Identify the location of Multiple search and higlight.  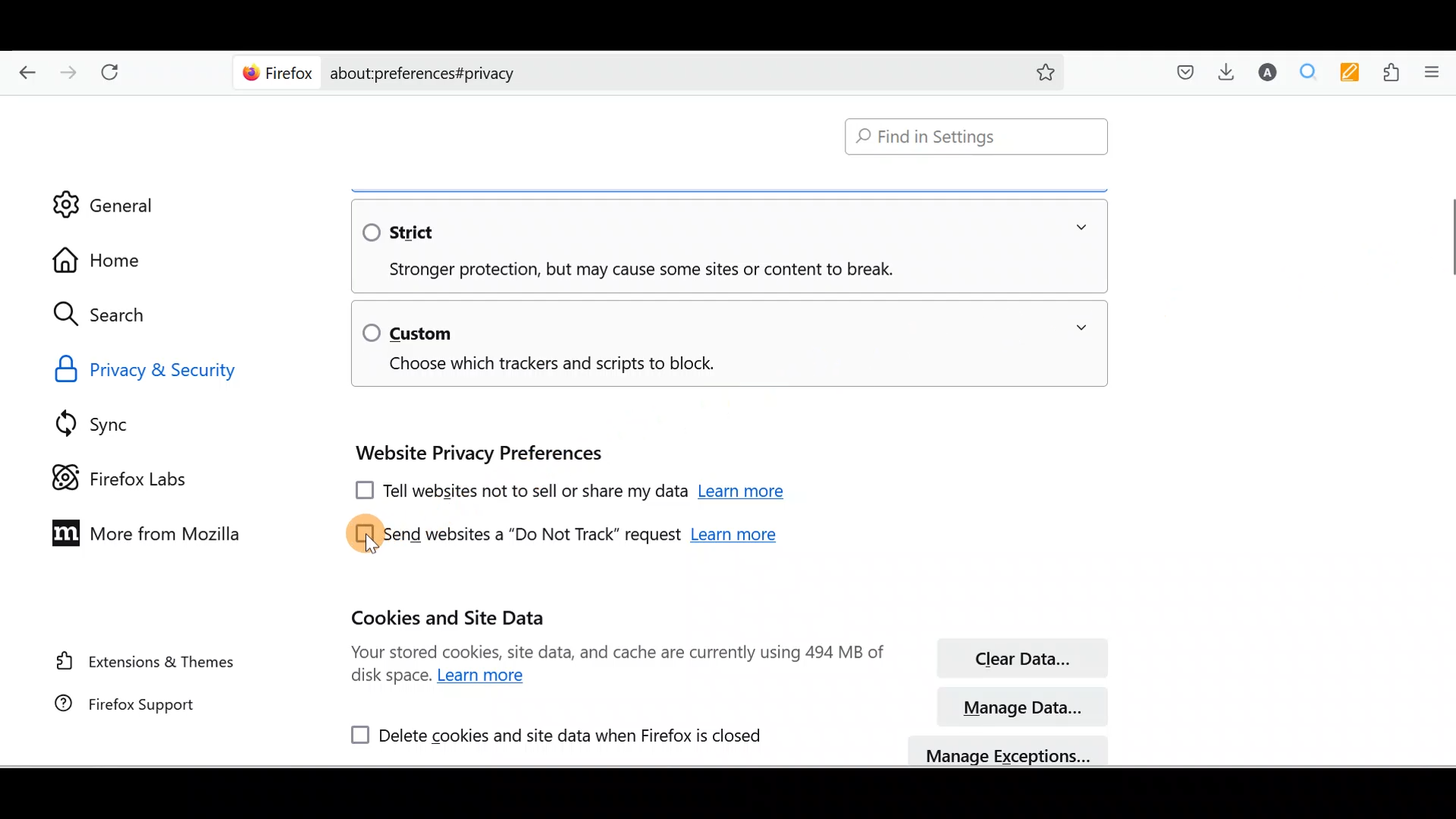
(1304, 71).